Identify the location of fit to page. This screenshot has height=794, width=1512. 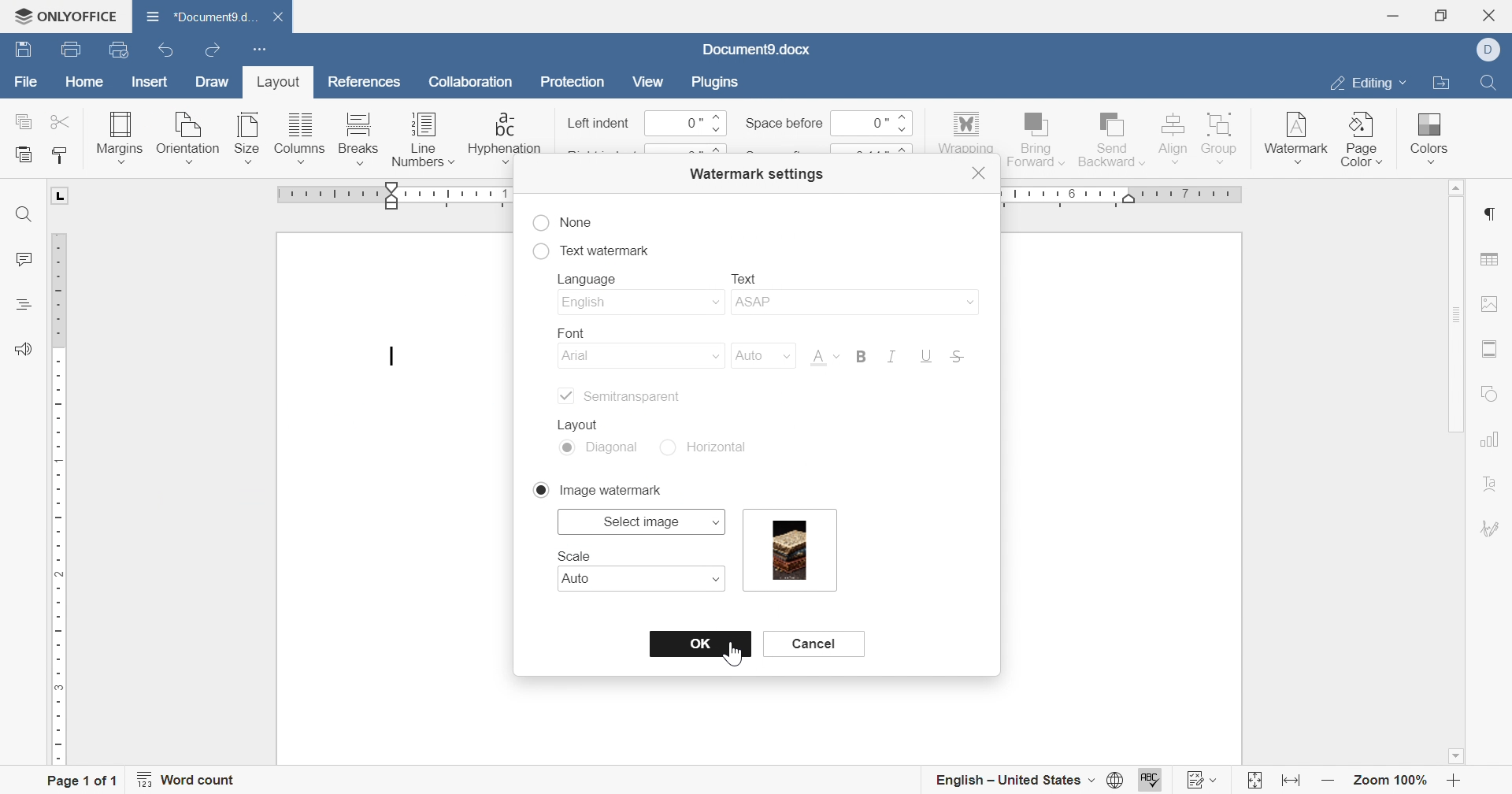
(1253, 783).